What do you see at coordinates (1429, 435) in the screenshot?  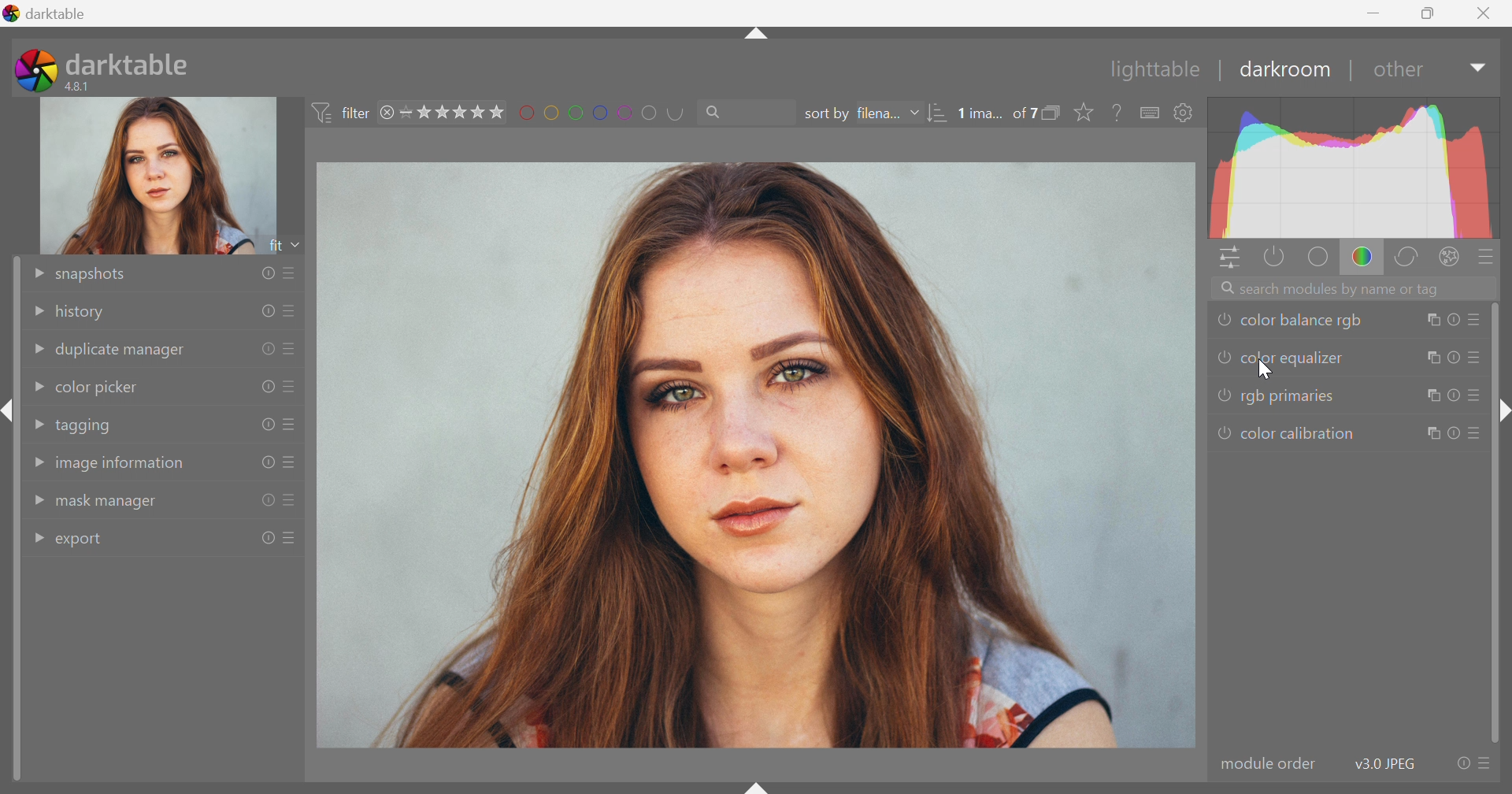 I see `multiple instance actions` at bounding box center [1429, 435].